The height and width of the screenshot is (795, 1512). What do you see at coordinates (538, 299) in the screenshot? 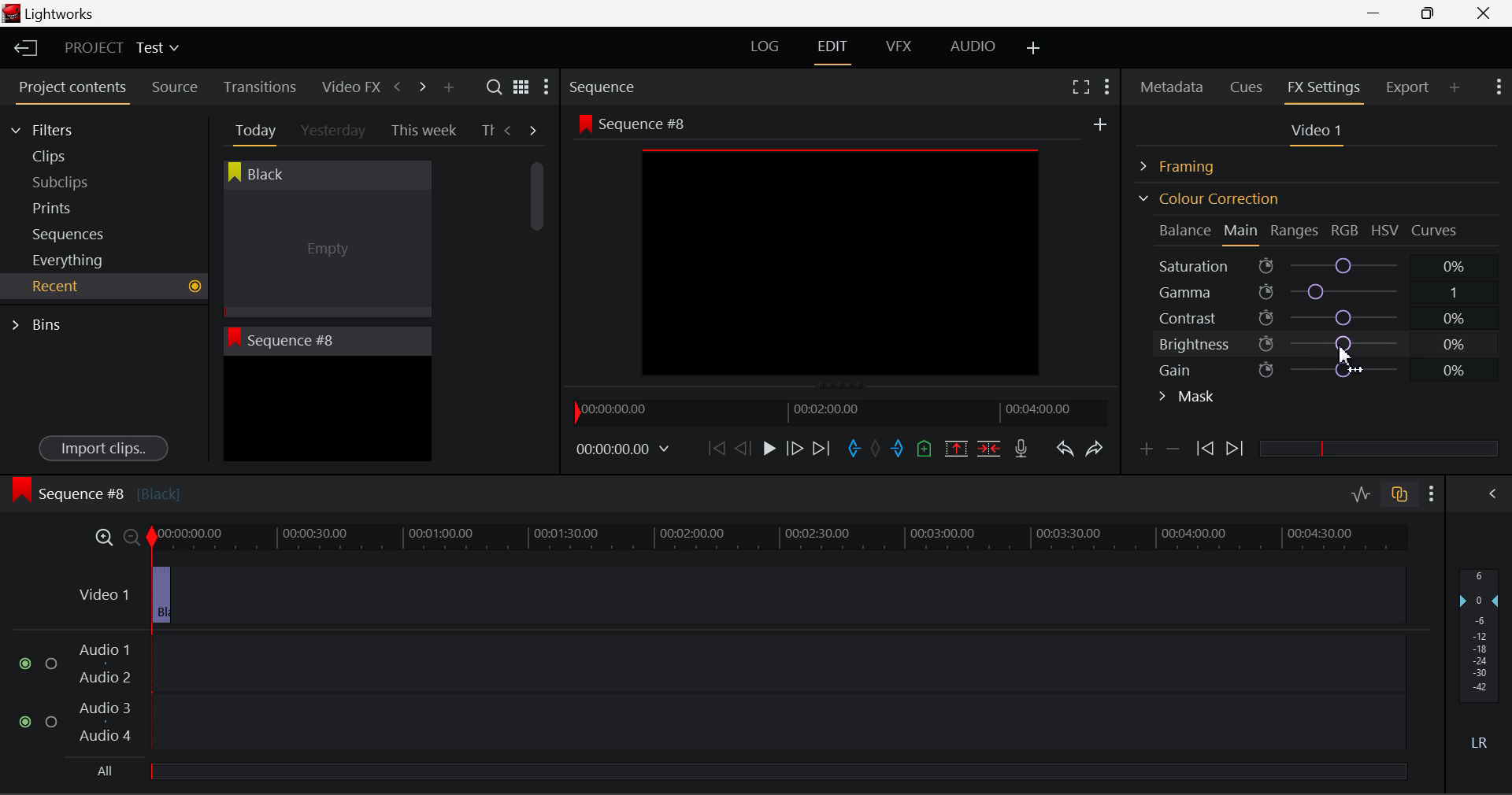
I see `Scroll Bar` at bounding box center [538, 299].